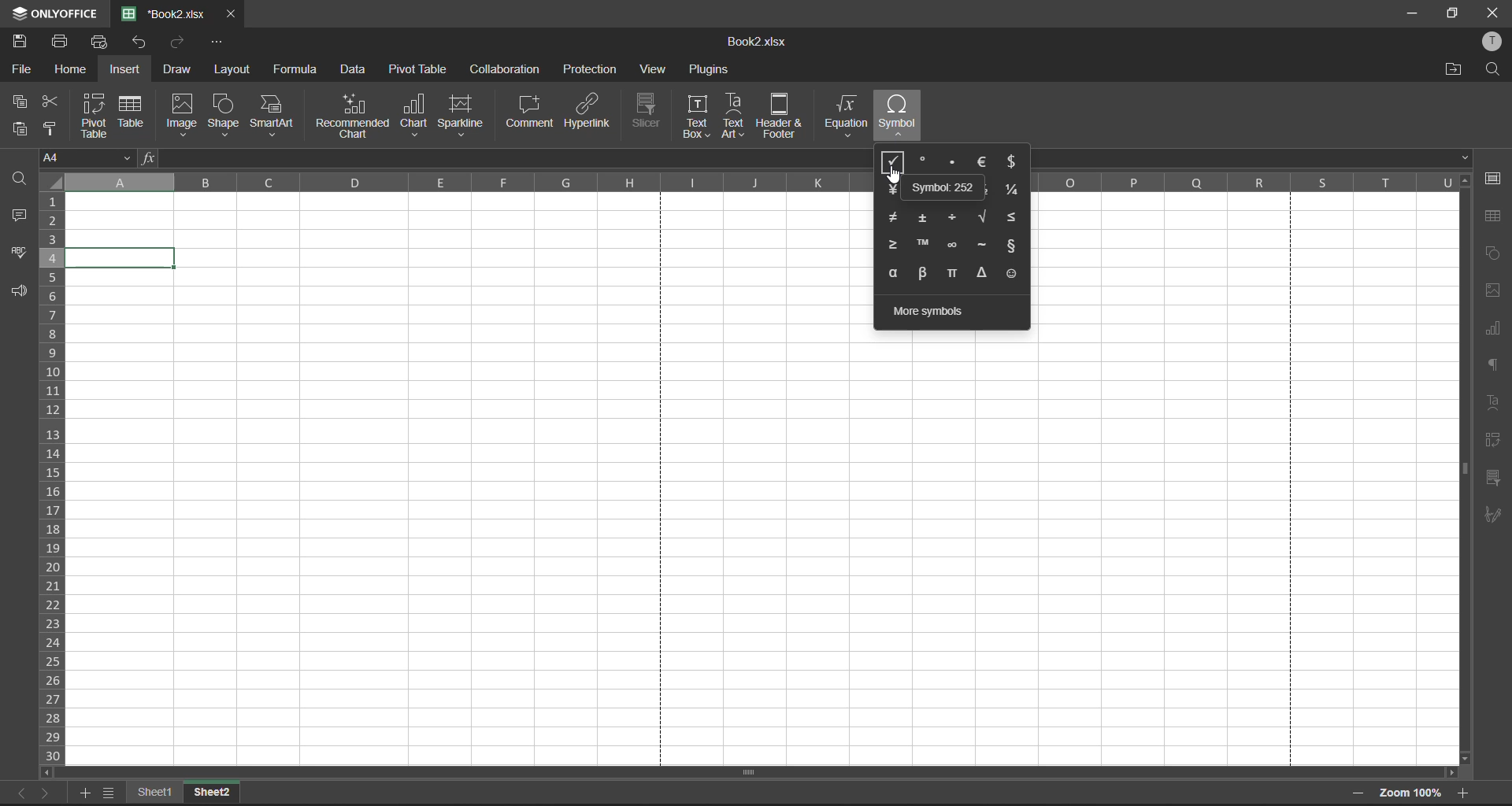 The width and height of the screenshot is (1512, 806). I want to click on protection, so click(591, 68).